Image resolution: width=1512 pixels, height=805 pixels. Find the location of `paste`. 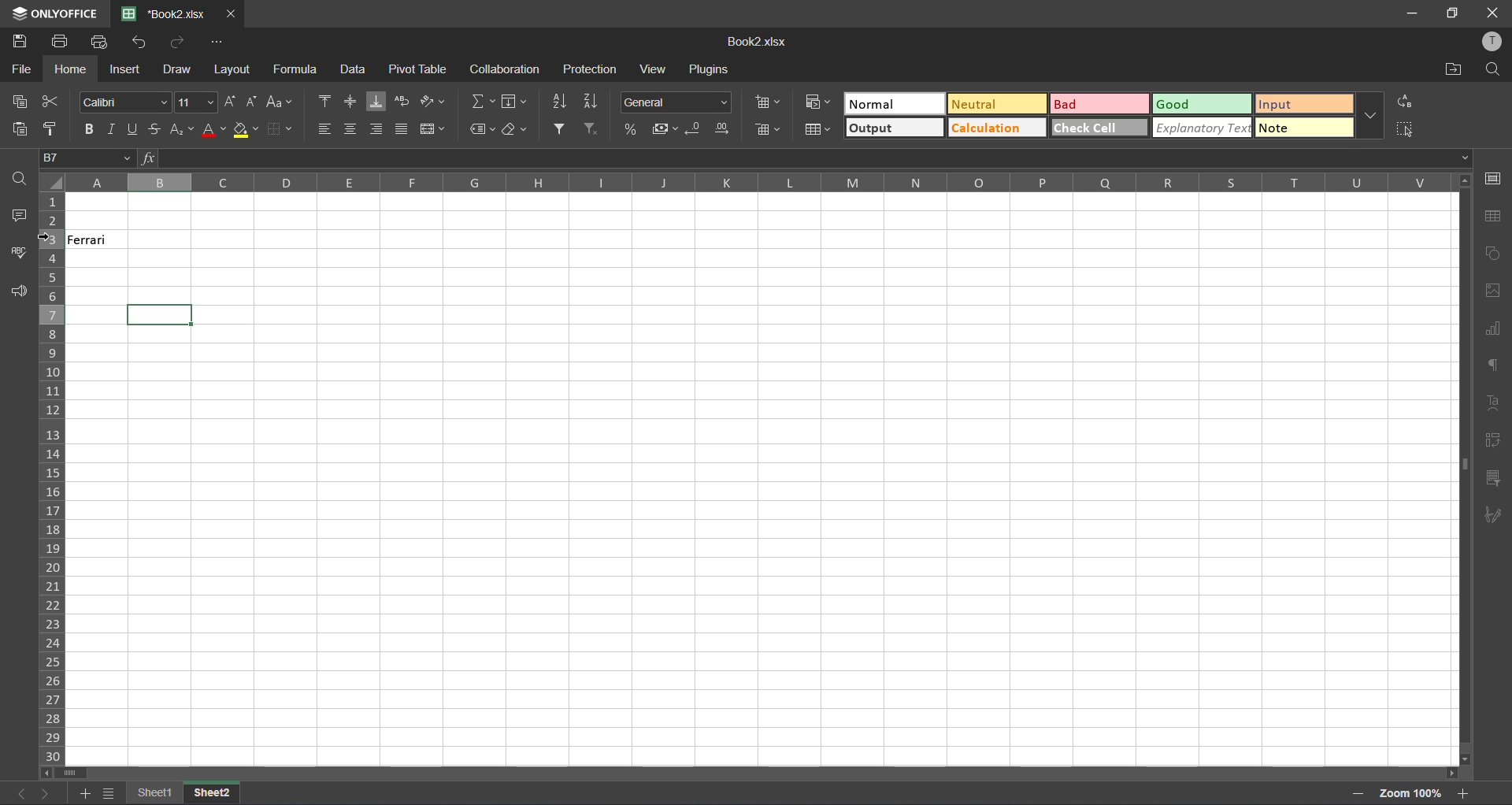

paste is located at coordinates (14, 127).